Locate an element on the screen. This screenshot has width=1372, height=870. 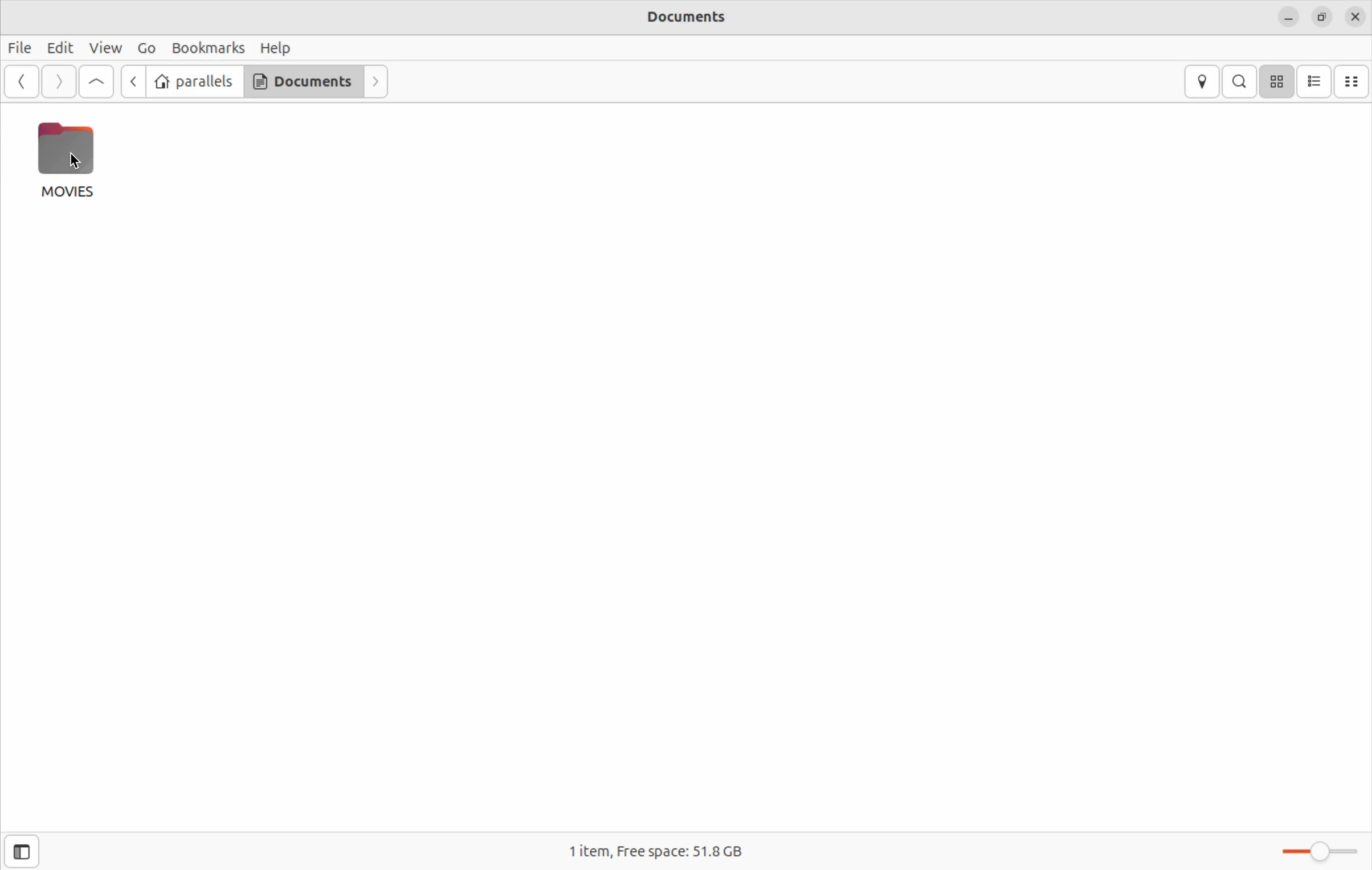
forward is located at coordinates (59, 82).